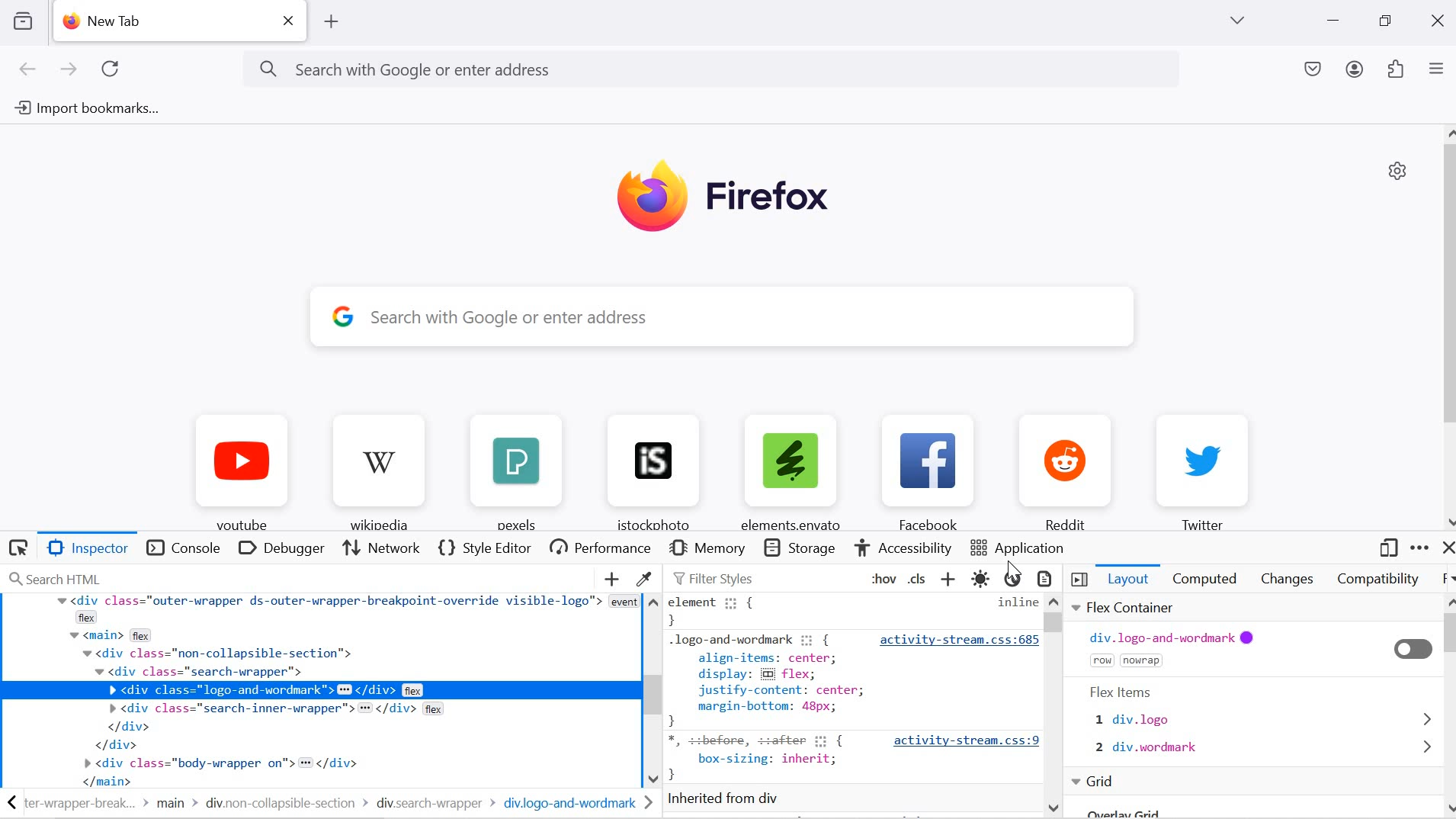  I want to click on toggle on/off, so click(1413, 650).